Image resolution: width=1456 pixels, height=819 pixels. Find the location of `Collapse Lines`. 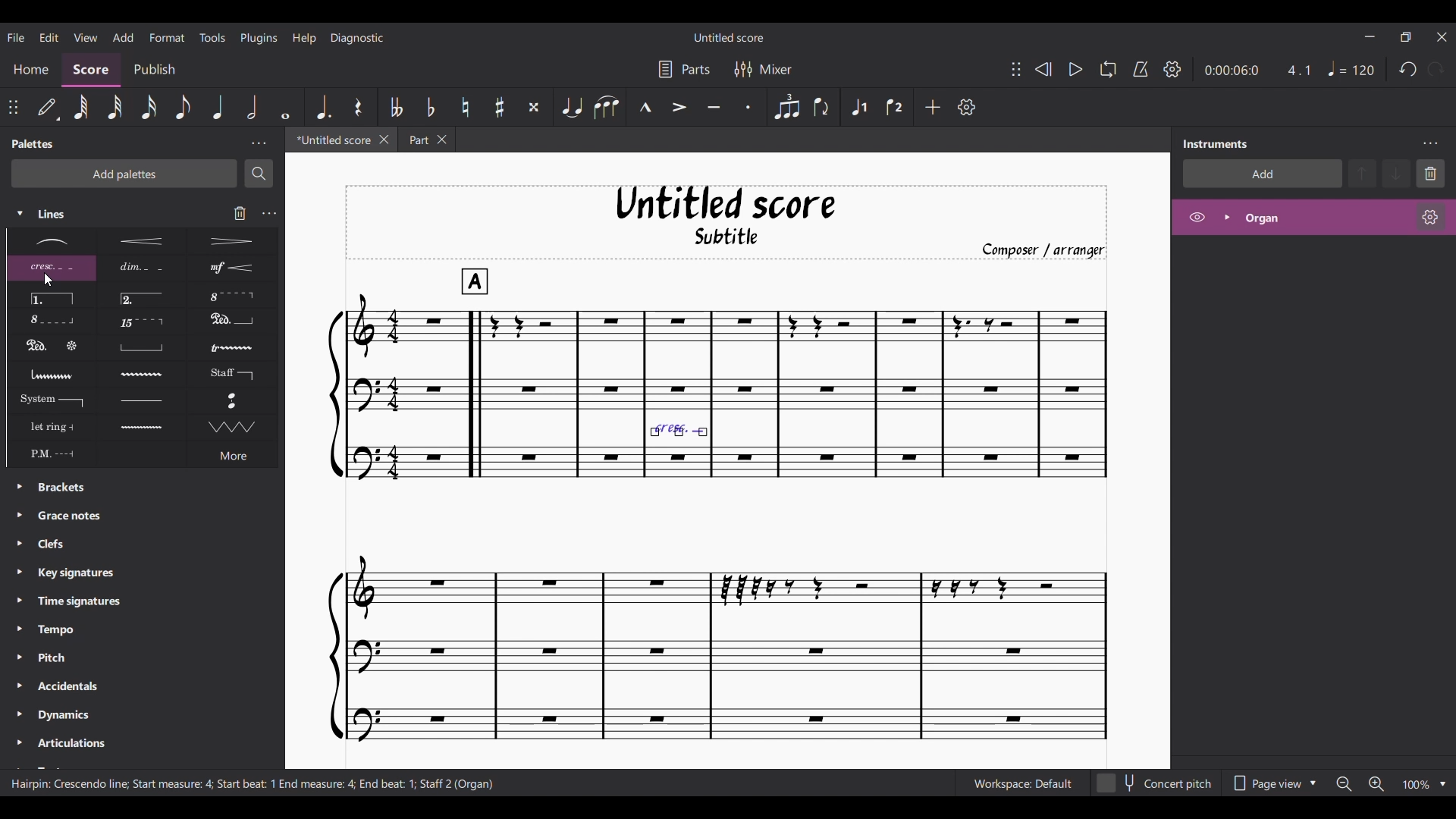

Collapse Lines is located at coordinates (97, 214).